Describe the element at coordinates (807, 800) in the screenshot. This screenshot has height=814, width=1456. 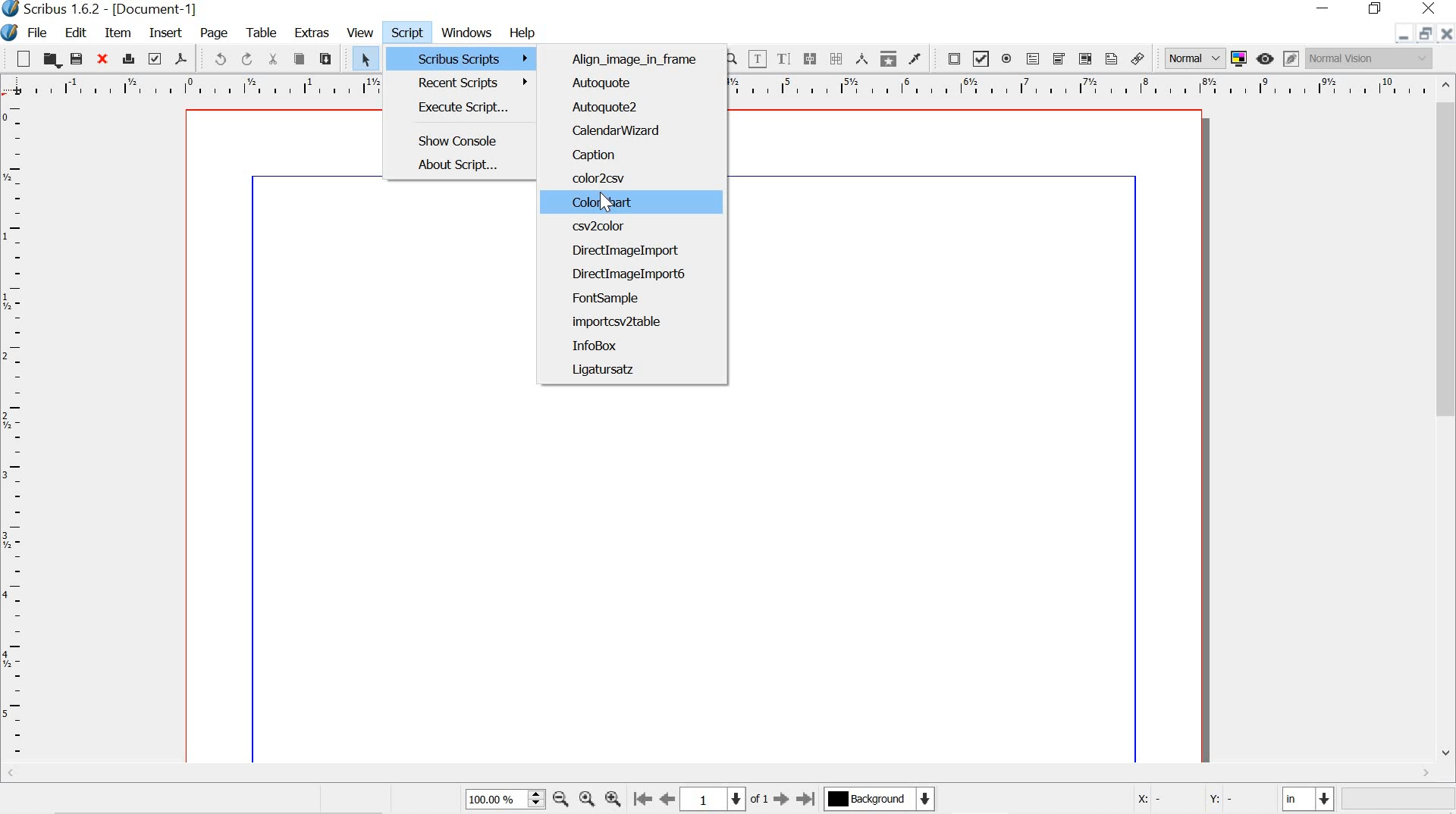
I see `Last page` at that location.